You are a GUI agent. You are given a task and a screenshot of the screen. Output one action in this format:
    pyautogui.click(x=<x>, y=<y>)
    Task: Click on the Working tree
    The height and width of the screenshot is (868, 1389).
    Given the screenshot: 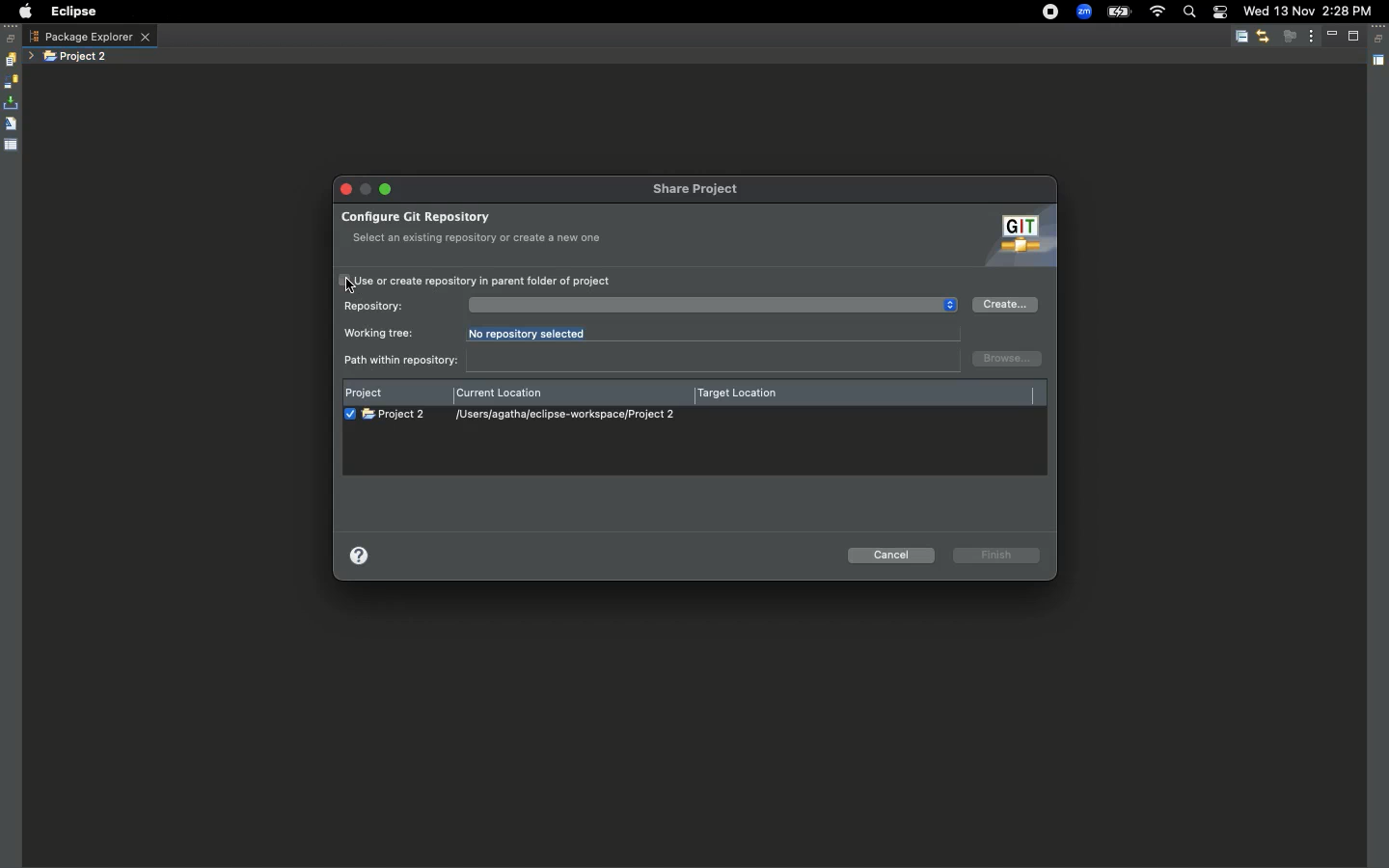 What is the action you would take?
    pyautogui.click(x=381, y=334)
    